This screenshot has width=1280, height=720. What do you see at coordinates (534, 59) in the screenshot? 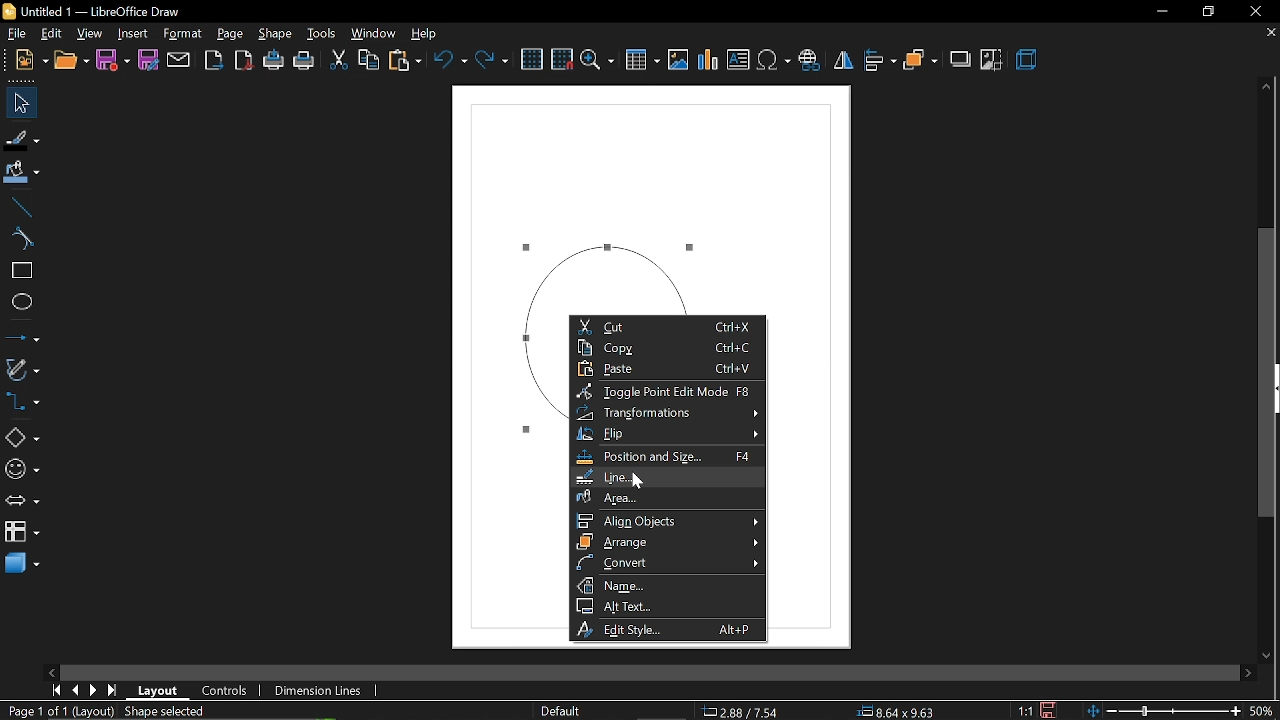
I see `grid` at bounding box center [534, 59].